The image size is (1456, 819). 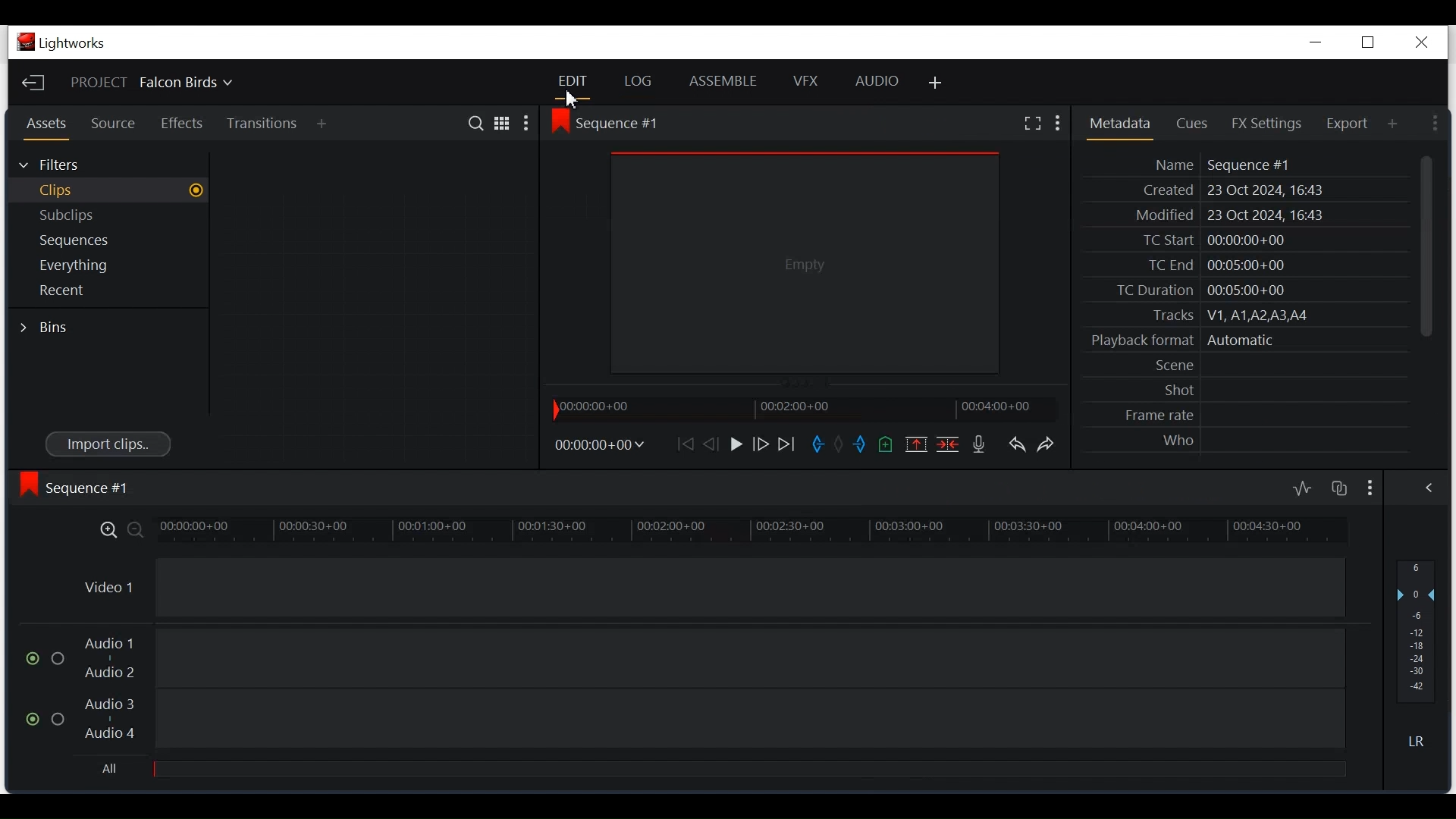 I want to click on Restore, so click(x=1367, y=42).